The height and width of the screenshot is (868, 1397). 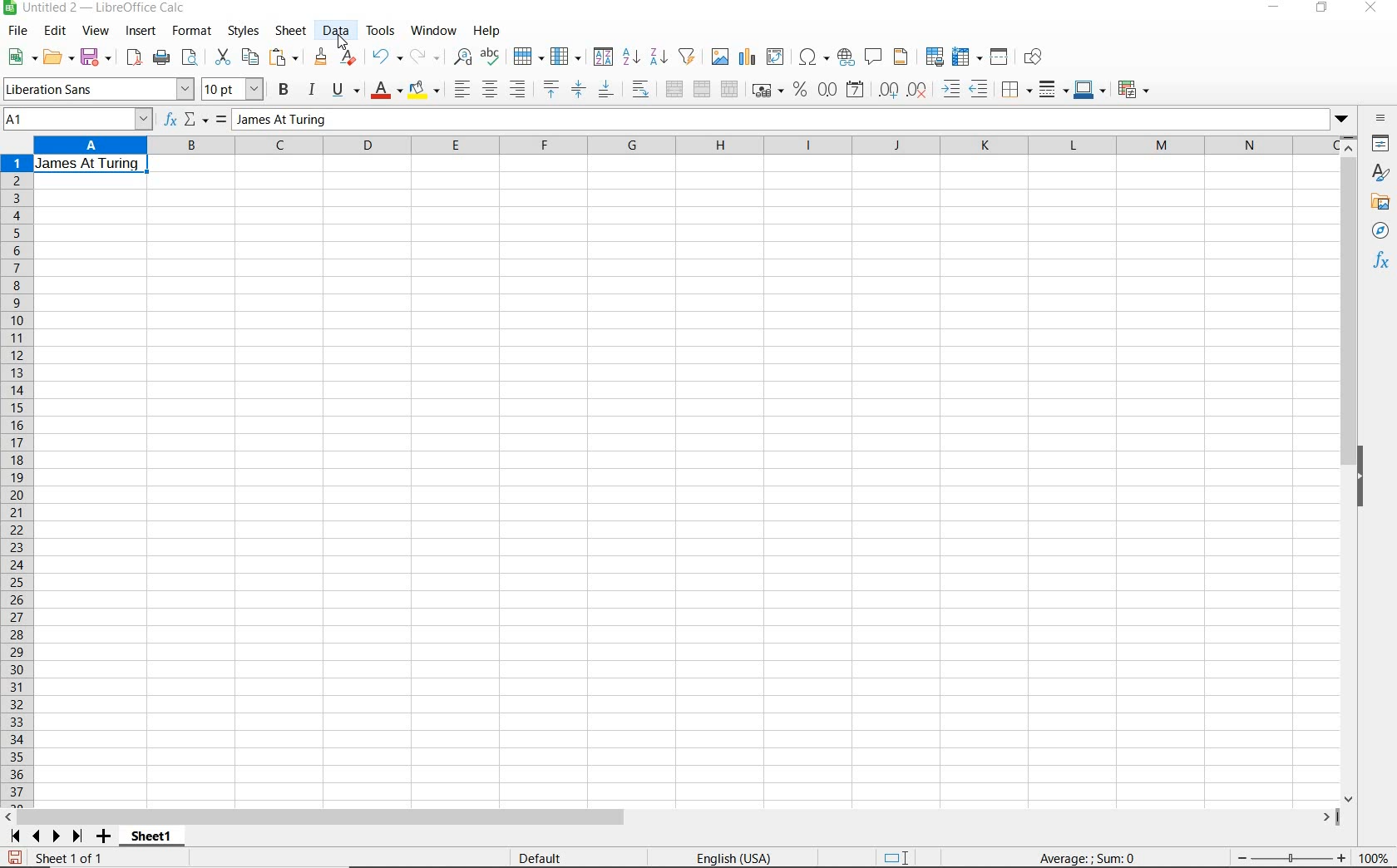 What do you see at coordinates (967, 57) in the screenshot?
I see `freeze rows and columns` at bounding box center [967, 57].